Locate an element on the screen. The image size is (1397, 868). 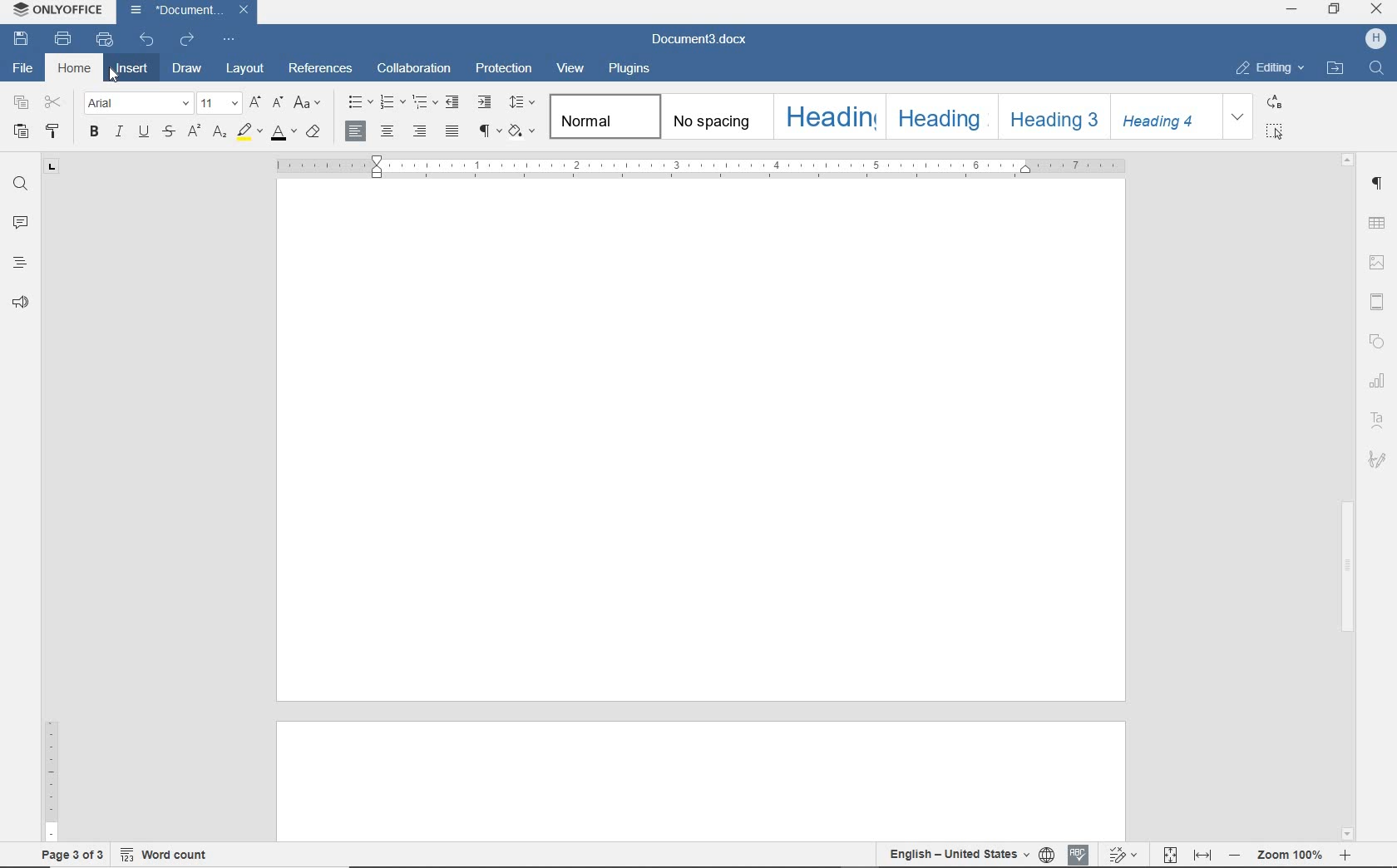
QUICK PRINT is located at coordinates (107, 40).